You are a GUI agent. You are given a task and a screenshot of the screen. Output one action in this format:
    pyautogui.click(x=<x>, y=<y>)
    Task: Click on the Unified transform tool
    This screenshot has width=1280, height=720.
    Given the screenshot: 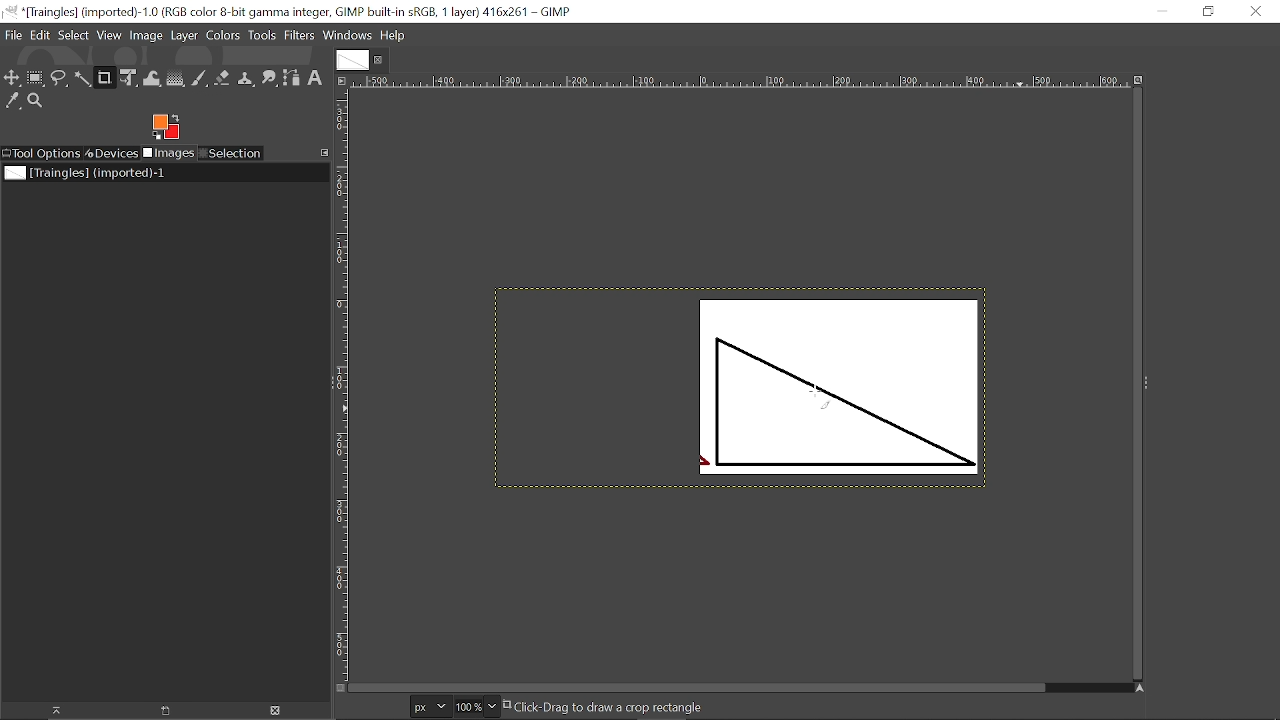 What is the action you would take?
    pyautogui.click(x=130, y=78)
    